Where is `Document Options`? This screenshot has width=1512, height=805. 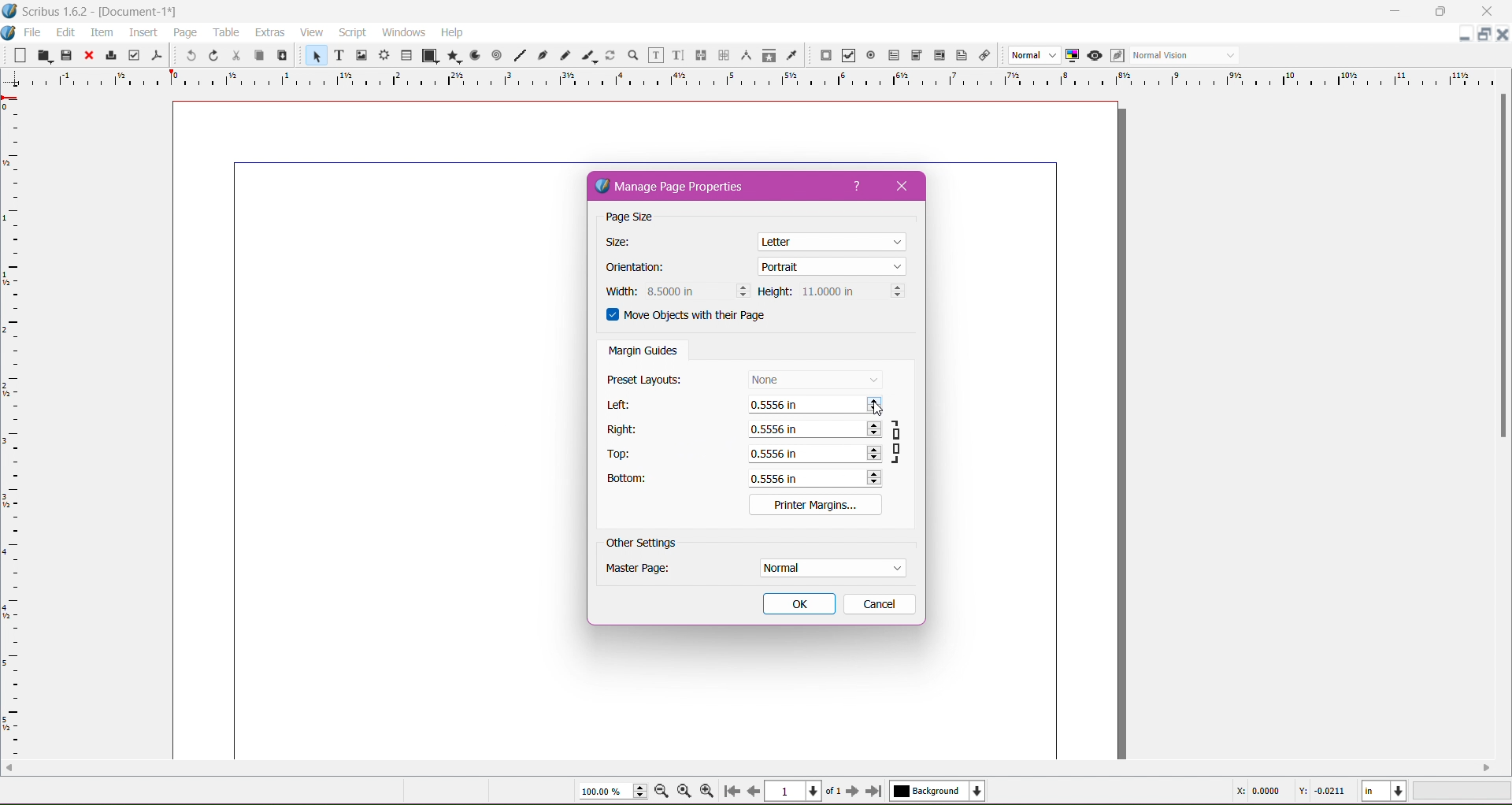
Document Options is located at coordinates (9, 31).